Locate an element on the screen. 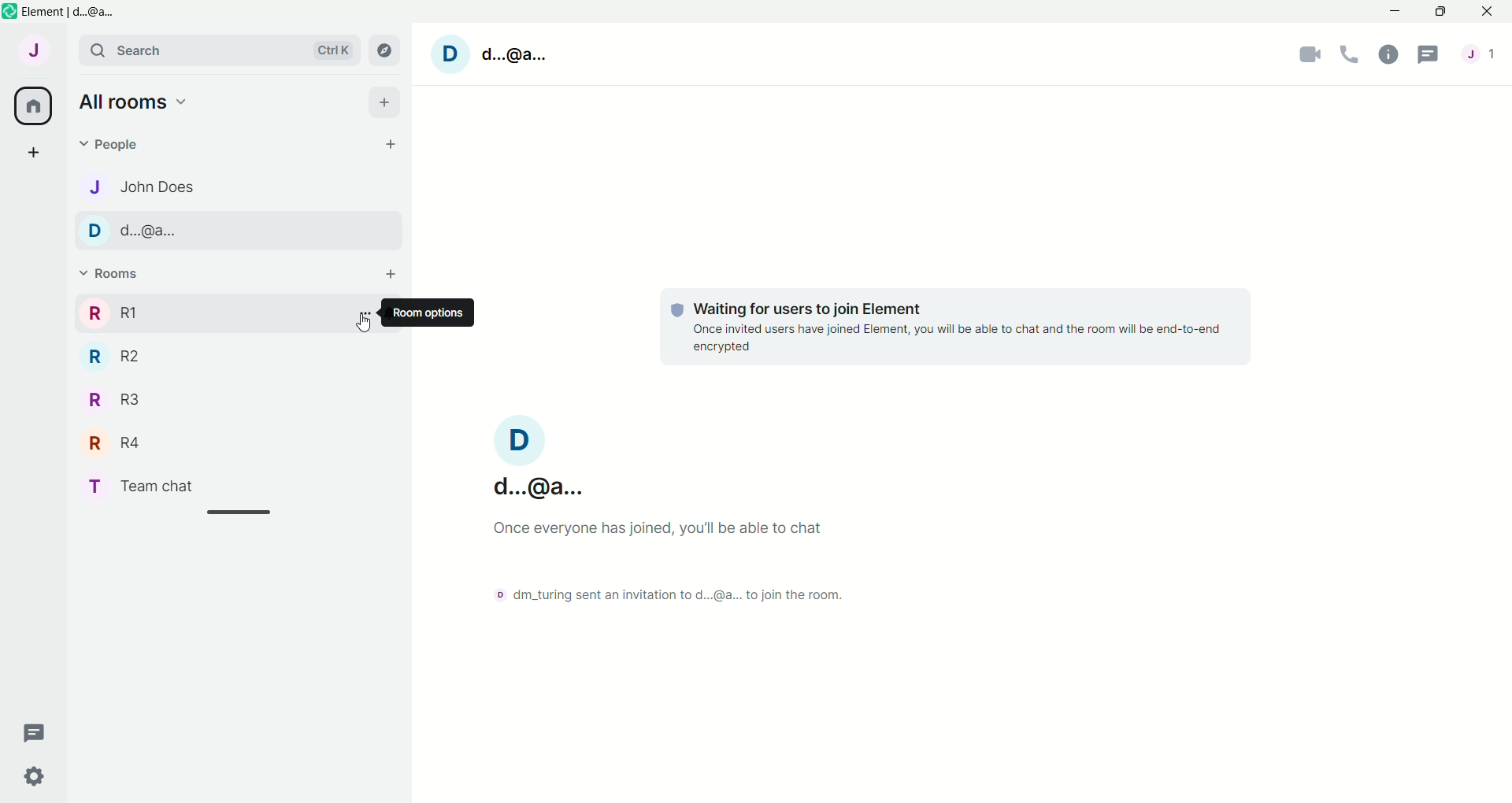  R R2 is located at coordinates (132, 361).